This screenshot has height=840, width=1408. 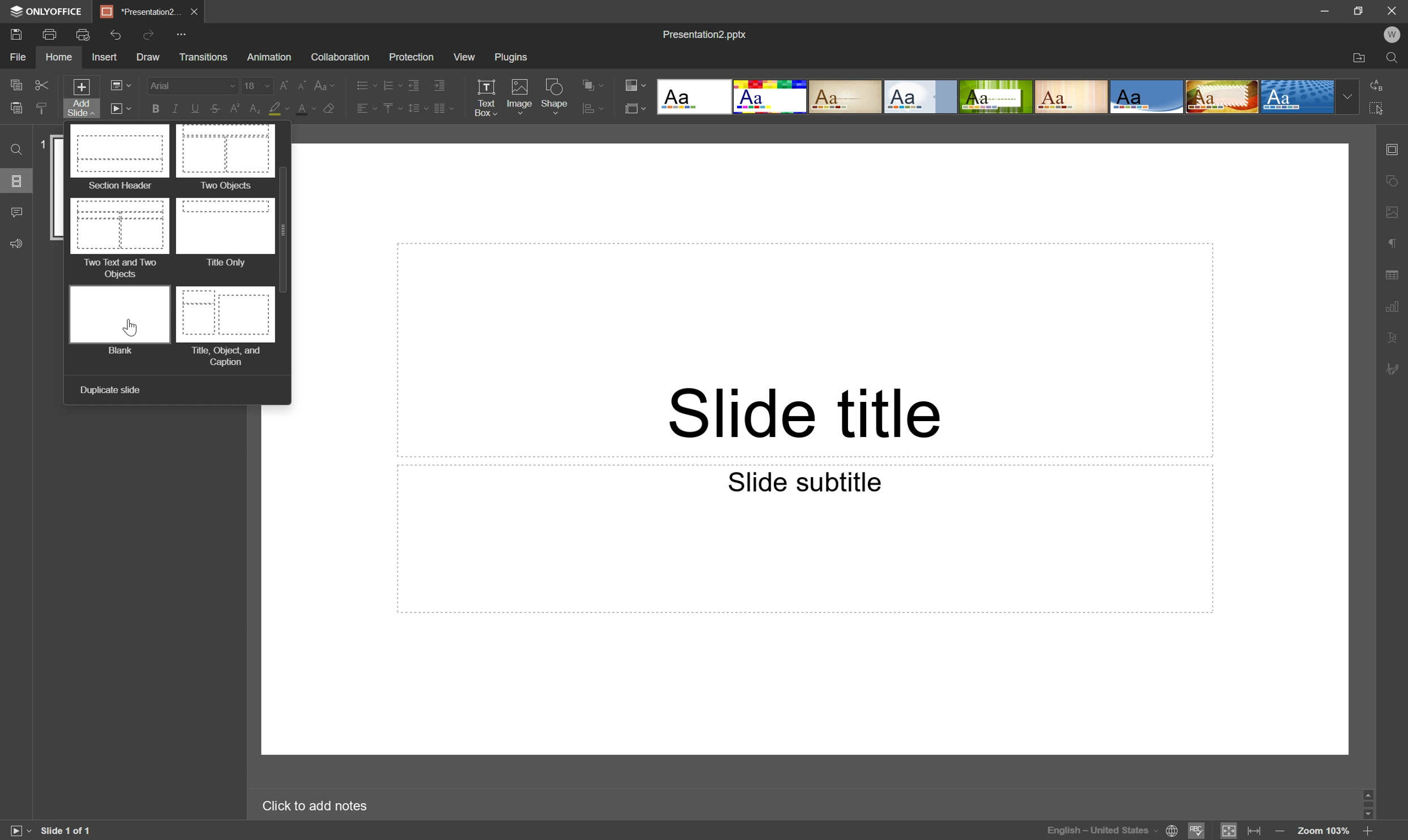 I want to click on Slides, so click(x=18, y=182).